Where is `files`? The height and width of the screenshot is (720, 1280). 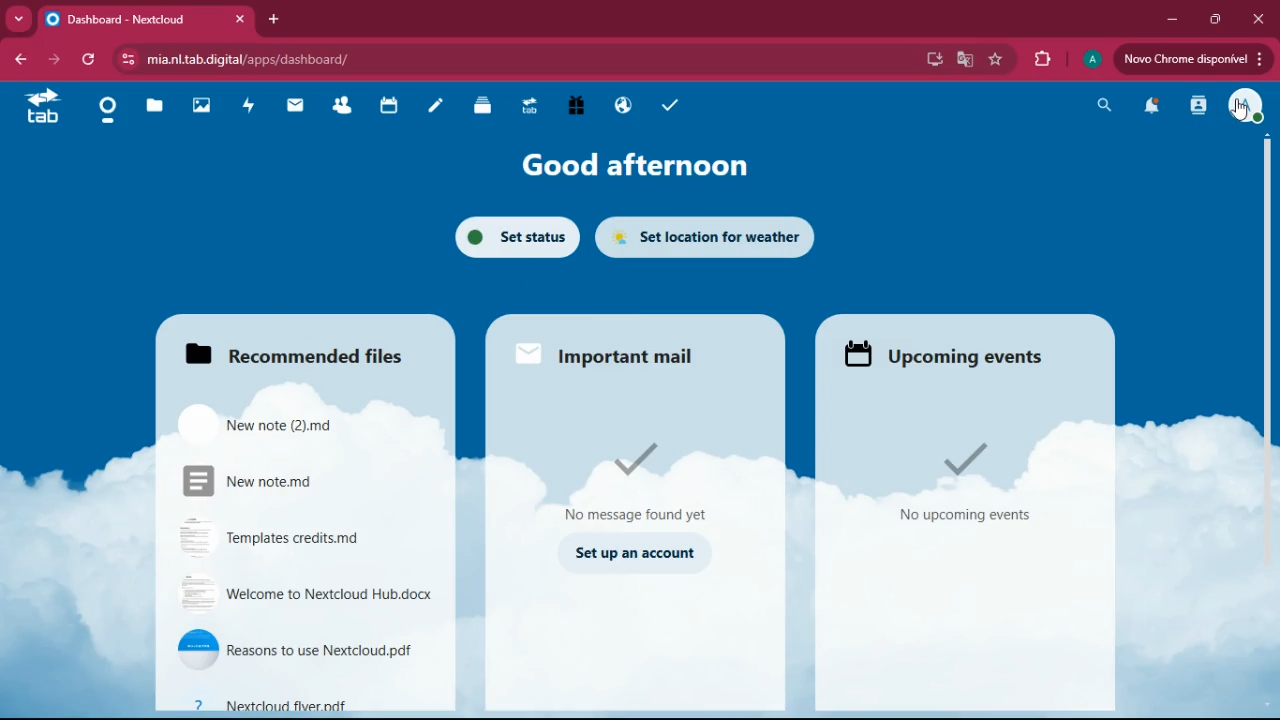 files is located at coordinates (484, 108).